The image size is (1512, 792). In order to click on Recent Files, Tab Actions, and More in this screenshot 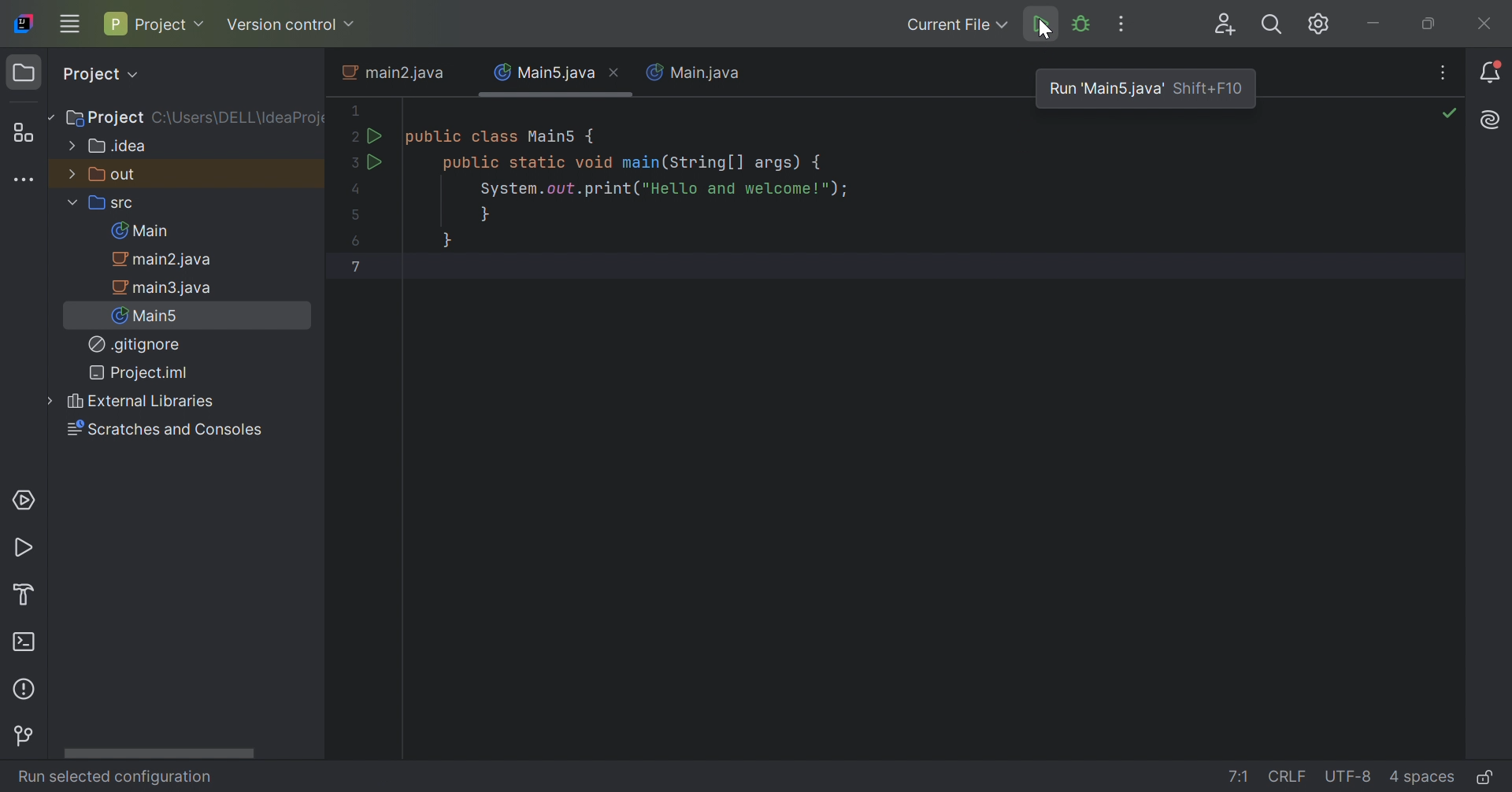, I will do `click(1445, 73)`.